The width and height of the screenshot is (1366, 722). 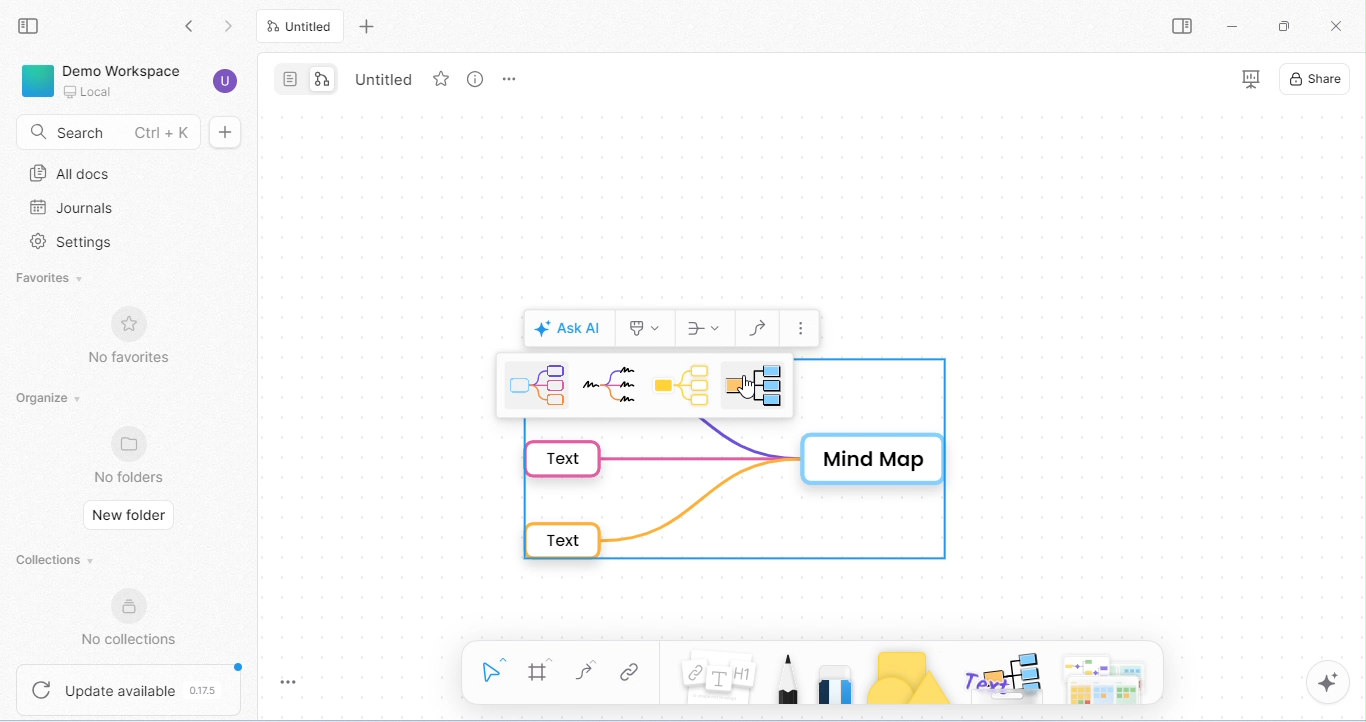 I want to click on draw connector, so click(x=757, y=328).